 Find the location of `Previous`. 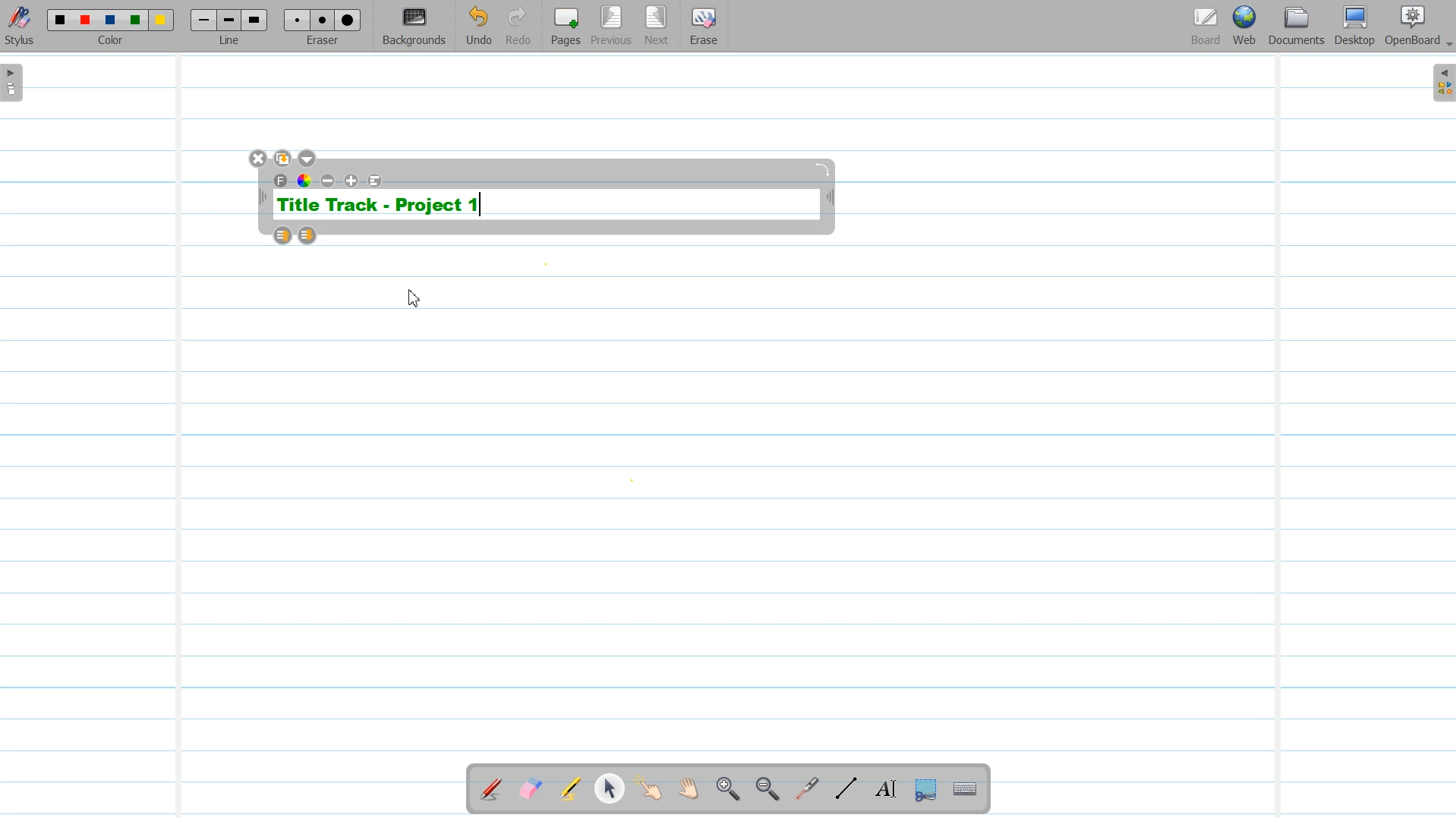

Previous is located at coordinates (613, 27).